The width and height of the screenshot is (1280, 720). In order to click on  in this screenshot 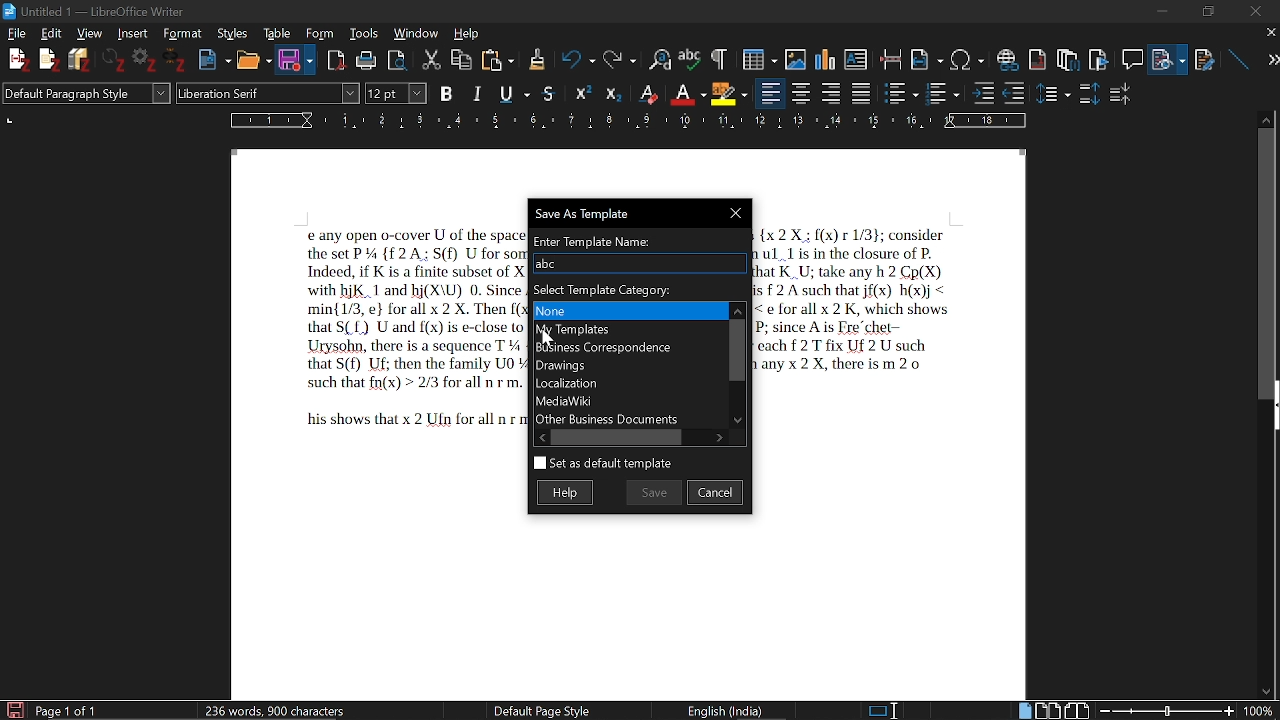, I will do `click(1055, 93)`.